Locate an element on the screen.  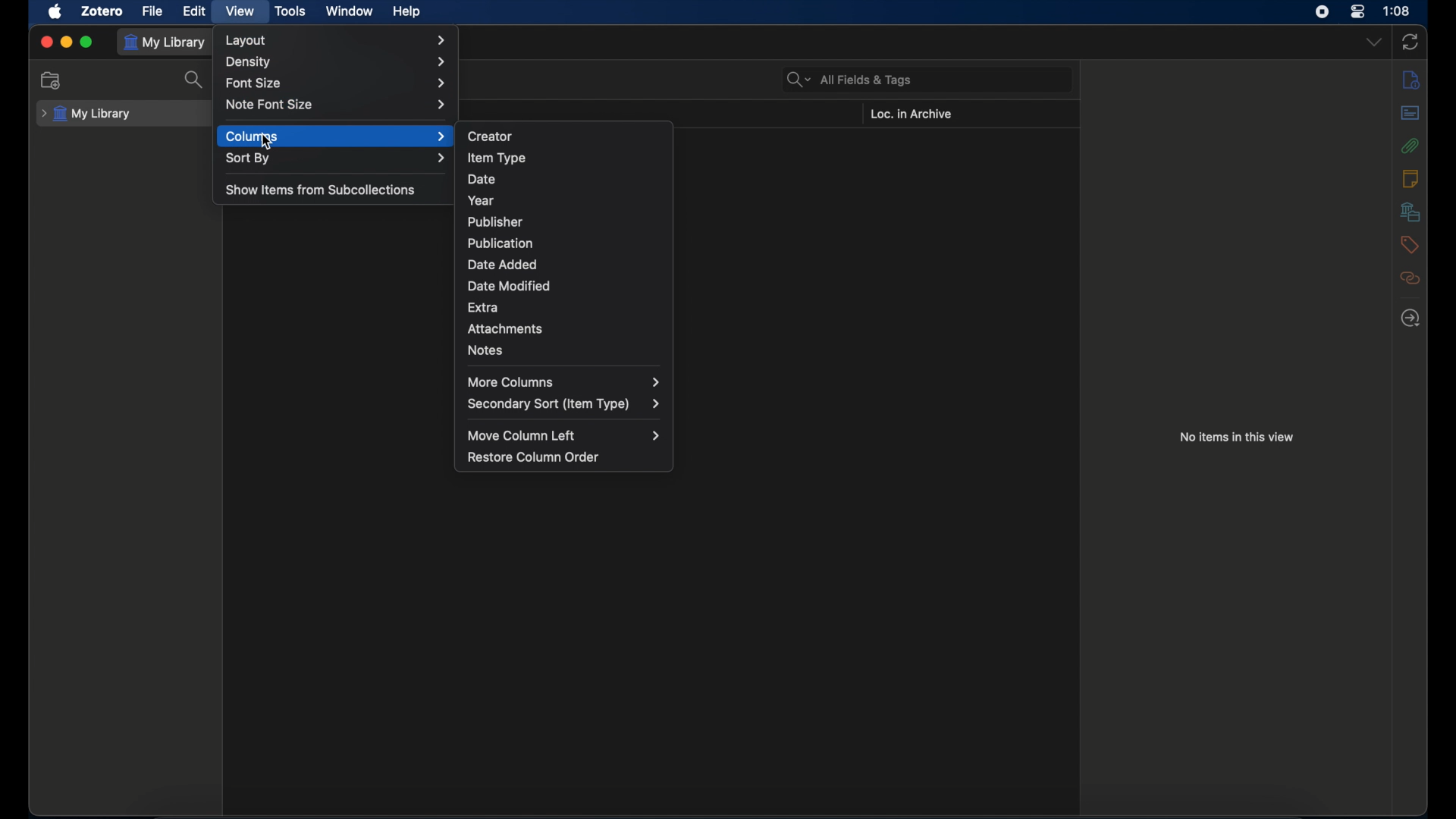
show items from subcollections is located at coordinates (322, 189).